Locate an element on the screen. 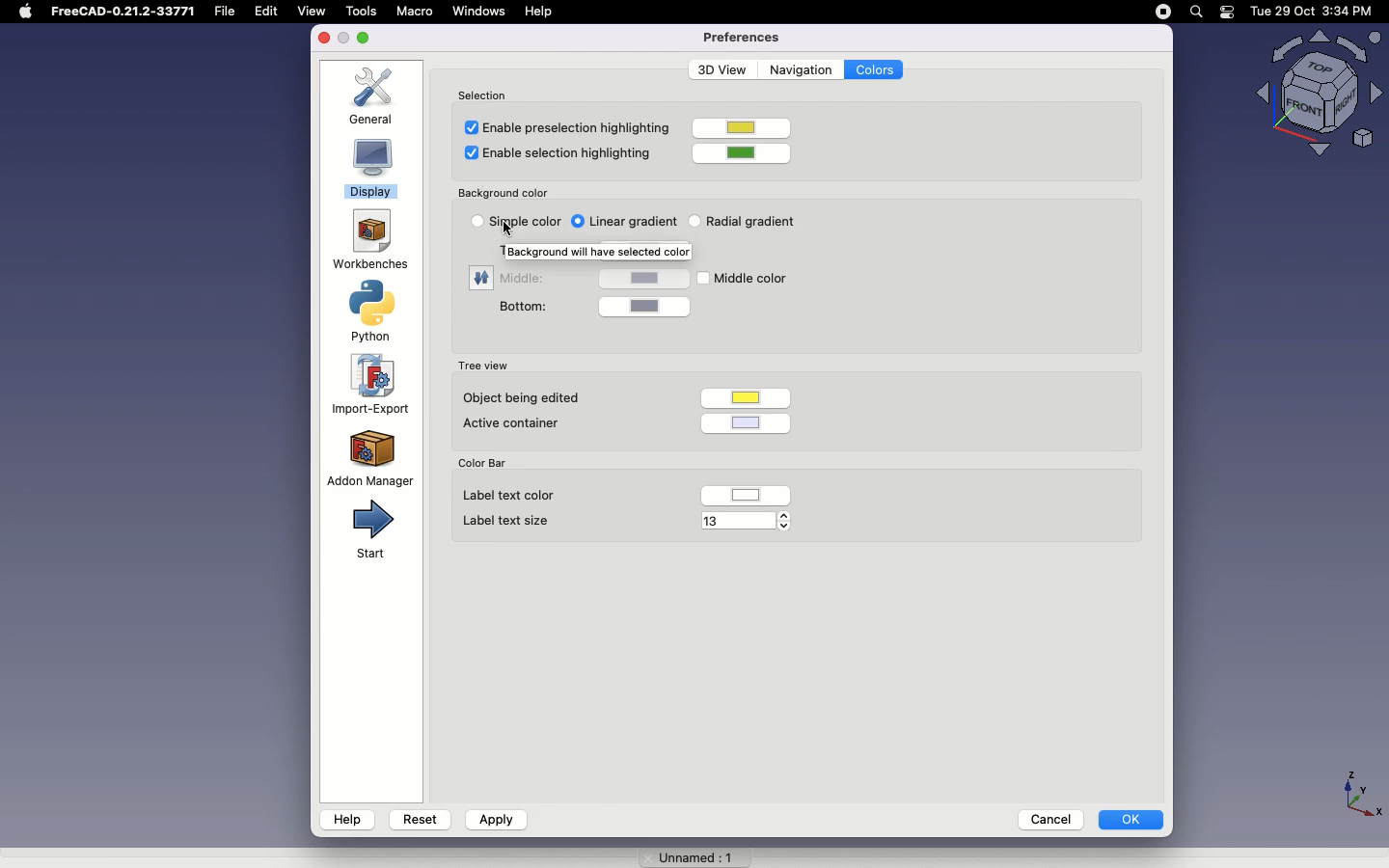 The height and width of the screenshot is (868, 1389). ‘Background color is located at coordinates (504, 190).